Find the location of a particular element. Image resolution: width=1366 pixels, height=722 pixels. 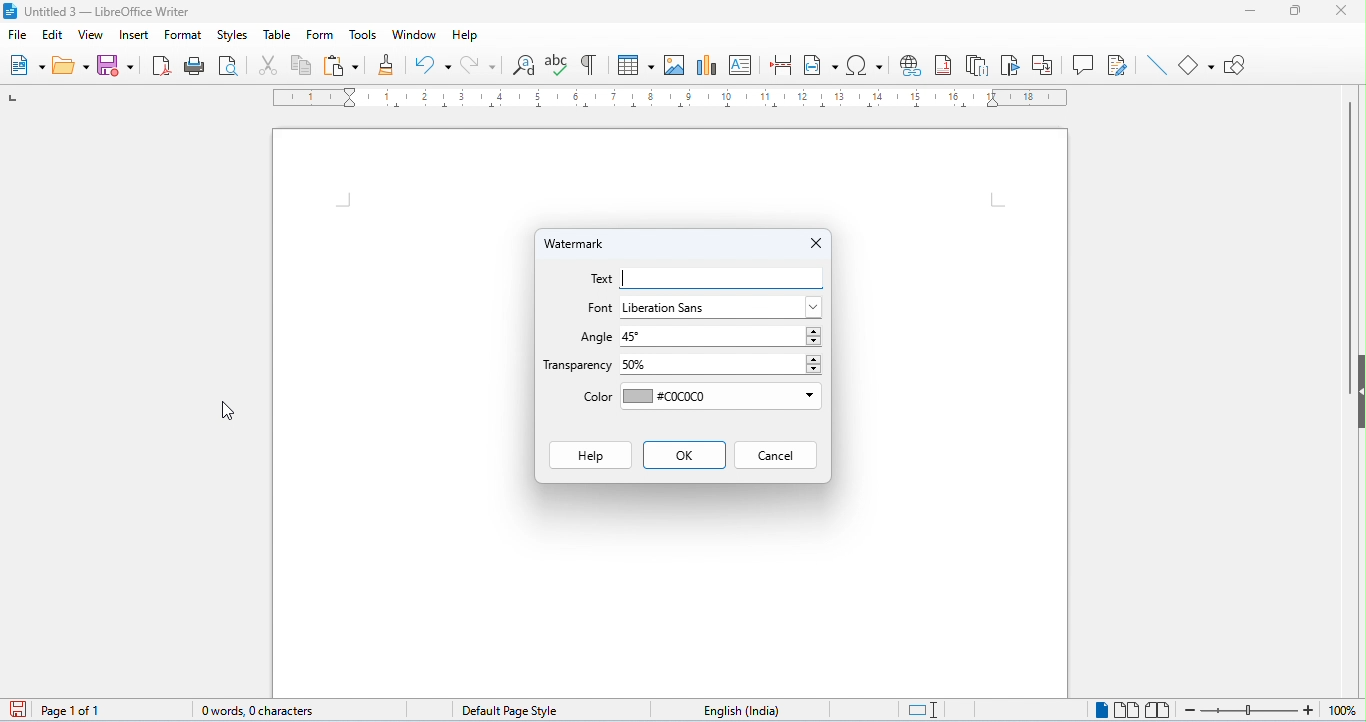

standard selection is located at coordinates (924, 711).